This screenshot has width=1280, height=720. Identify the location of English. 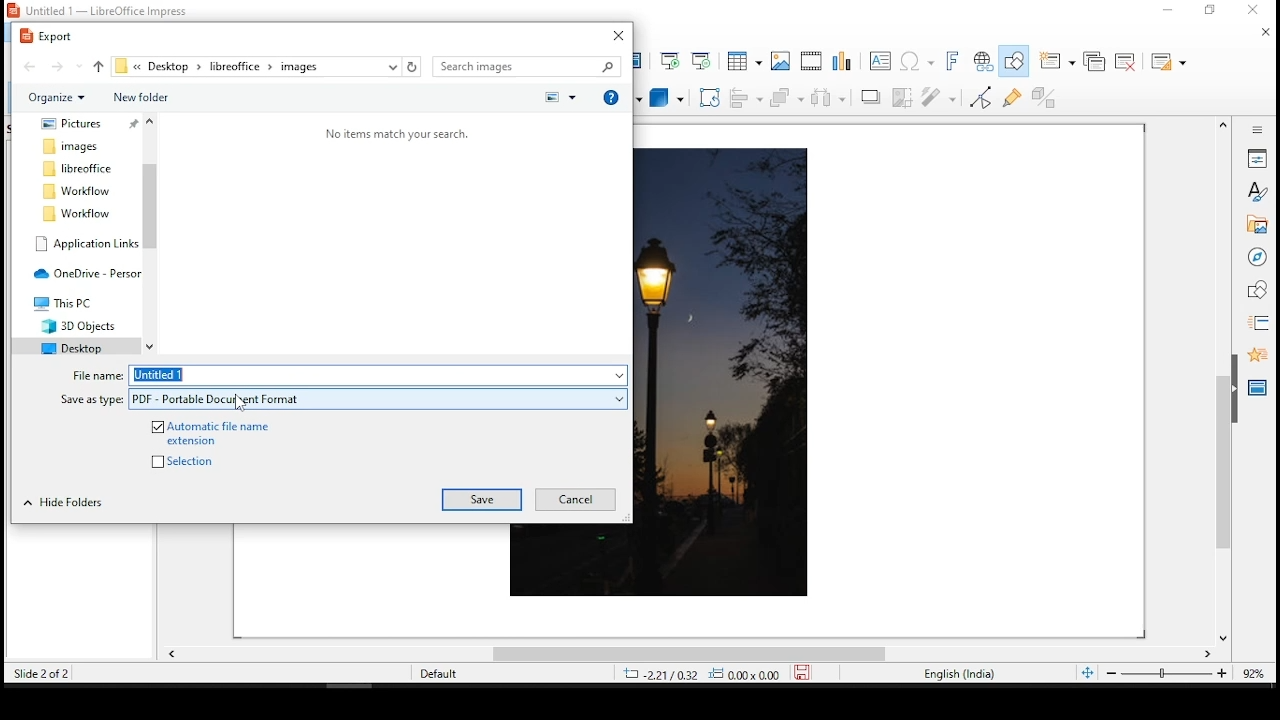
(958, 676).